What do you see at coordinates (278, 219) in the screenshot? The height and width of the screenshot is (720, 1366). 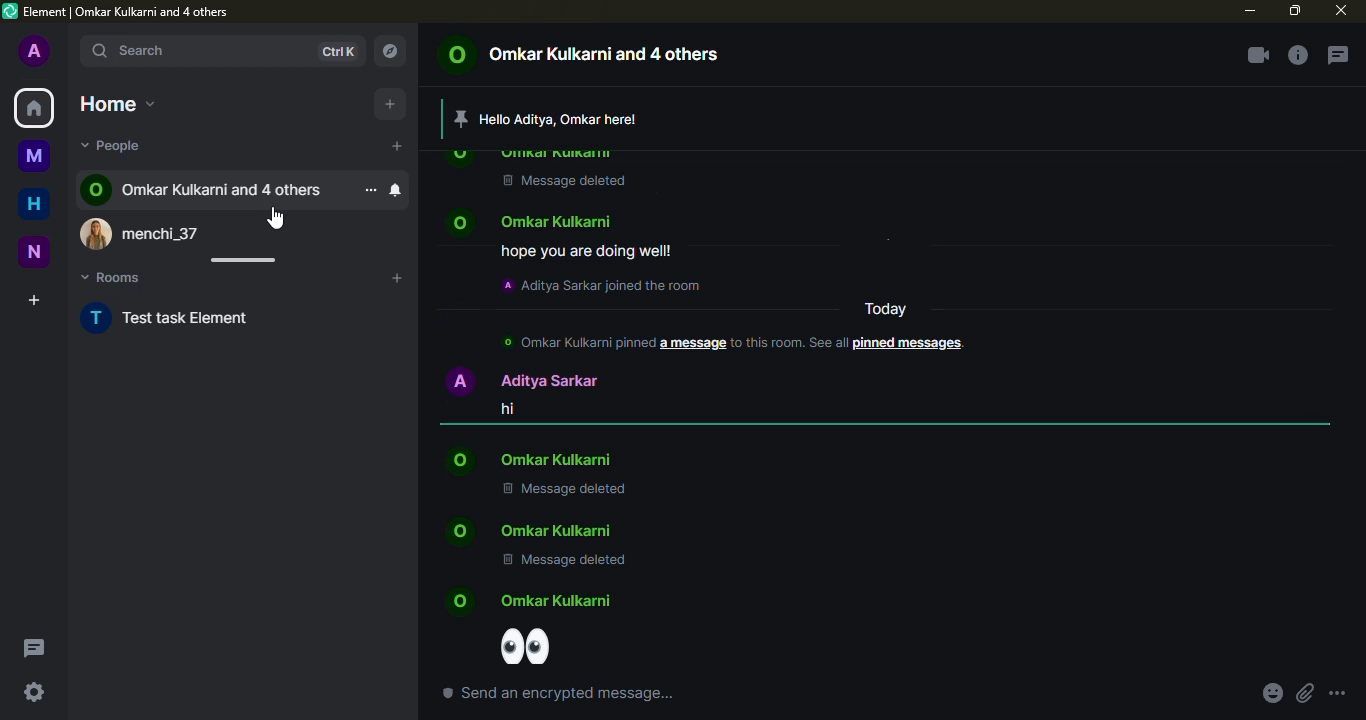 I see `cursor` at bounding box center [278, 219].